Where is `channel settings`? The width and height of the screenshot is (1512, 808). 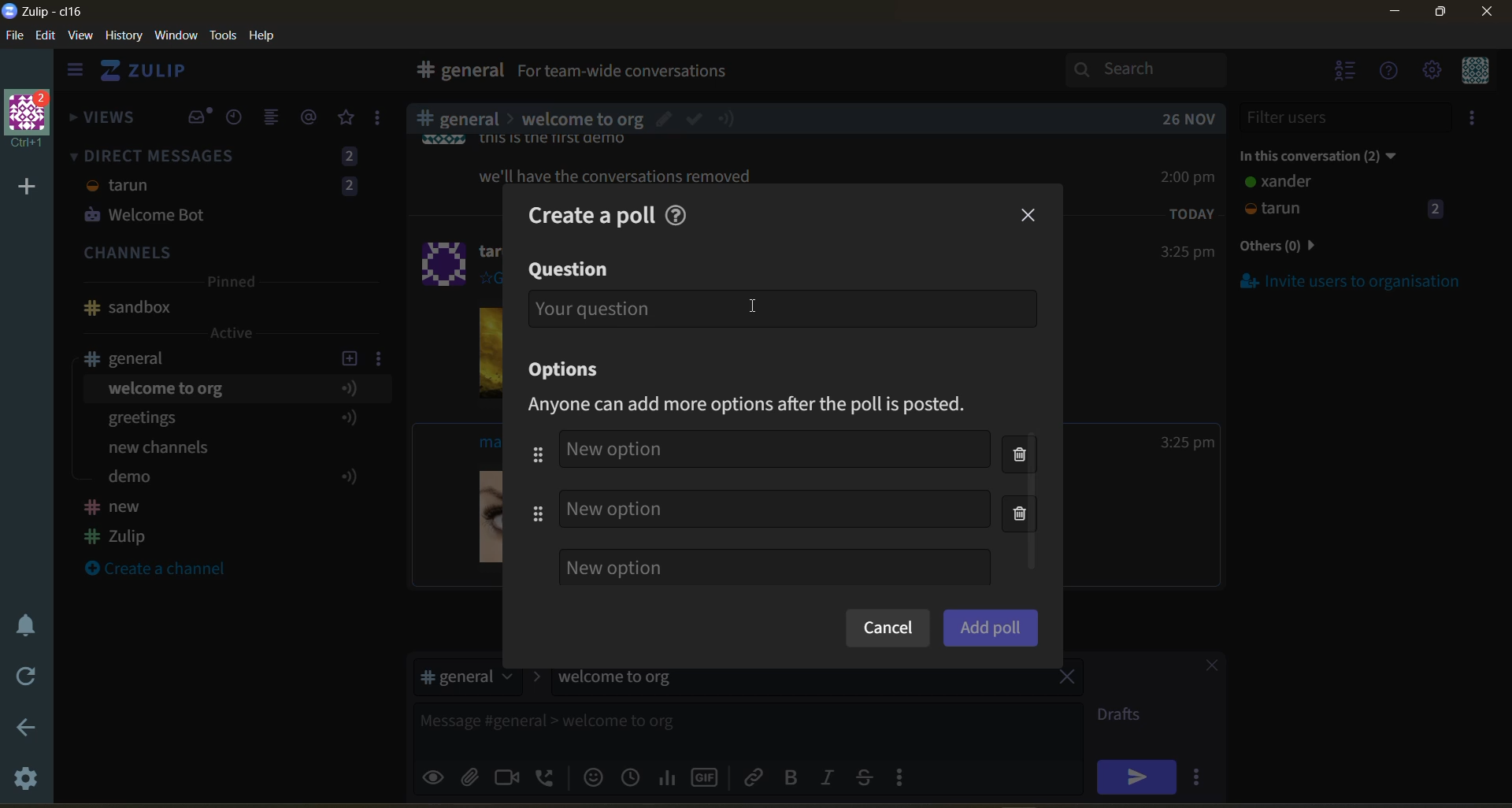 channel settings is located at coordinates (382, 358).